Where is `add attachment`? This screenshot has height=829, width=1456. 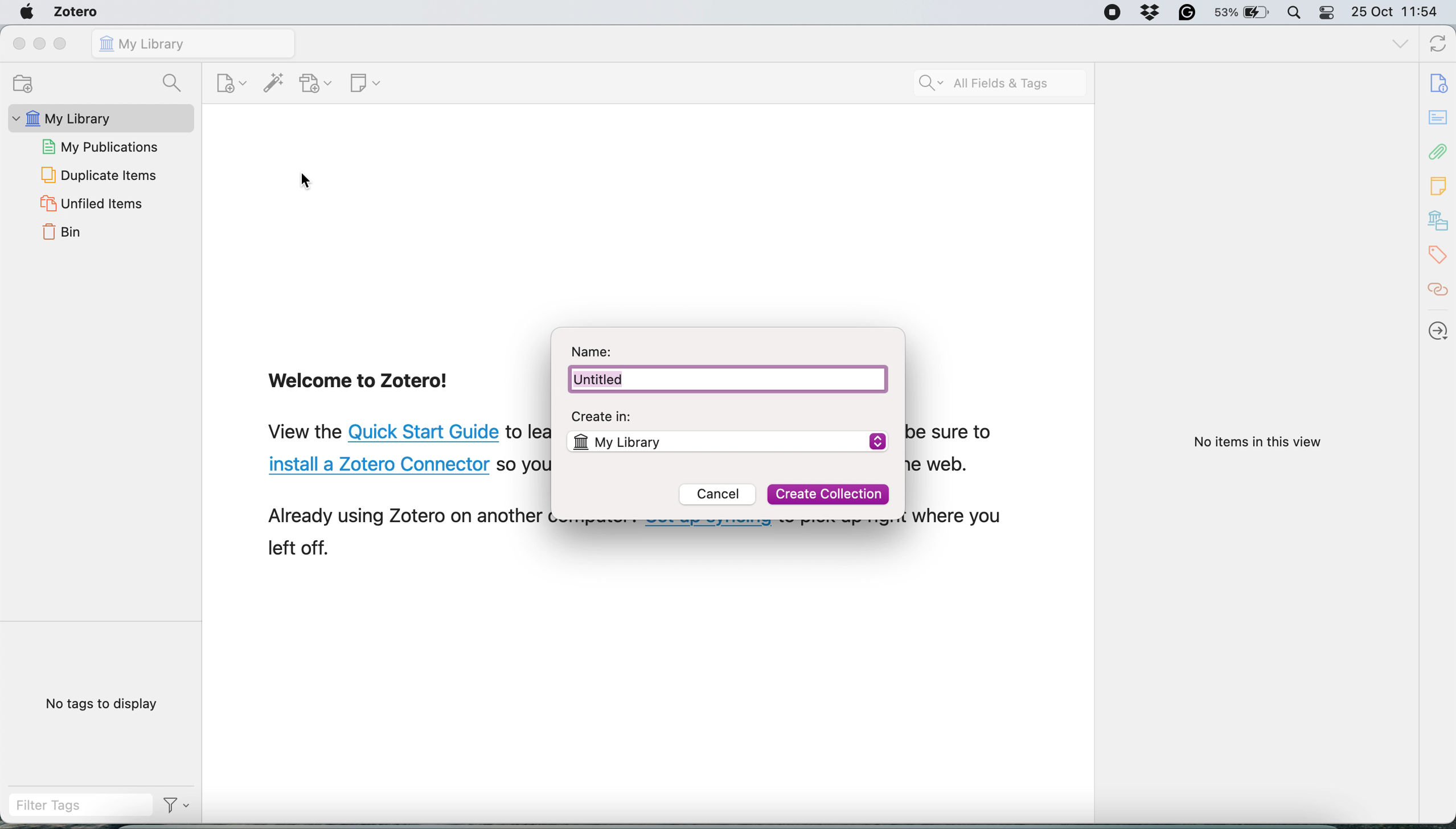
add attachment is located at coordinates (315, 83).